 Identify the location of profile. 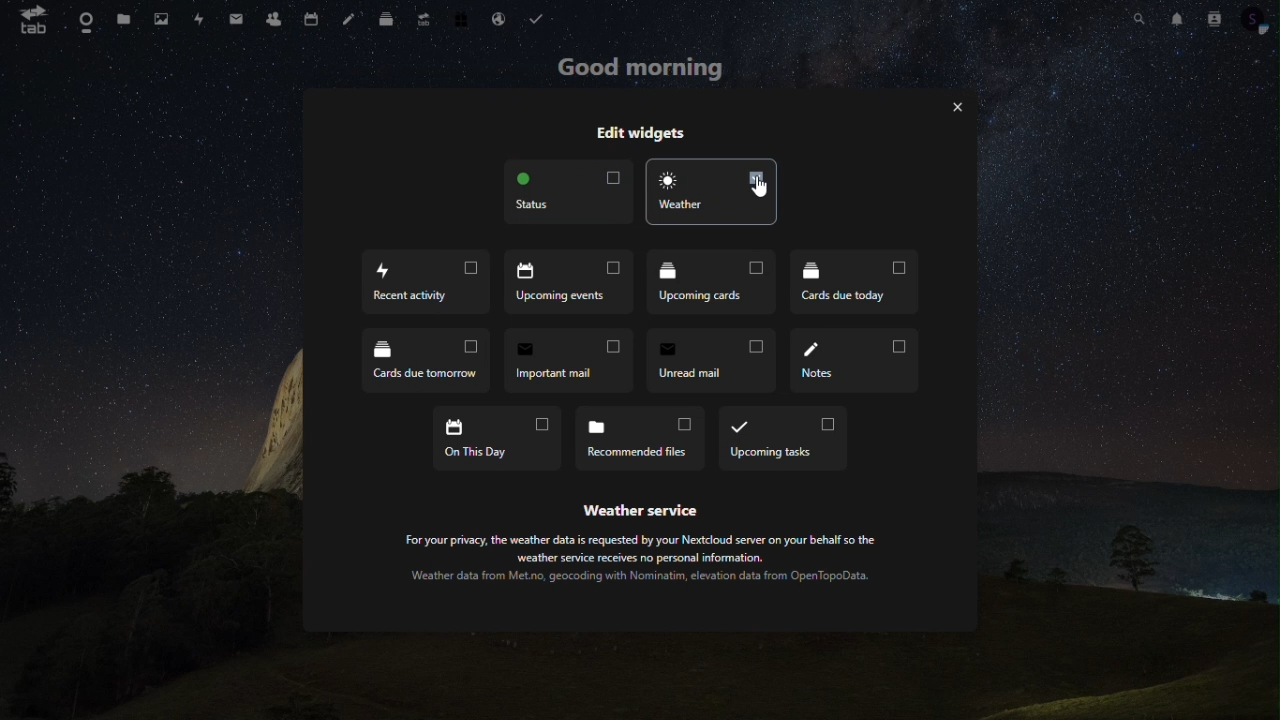
(1256, 23).